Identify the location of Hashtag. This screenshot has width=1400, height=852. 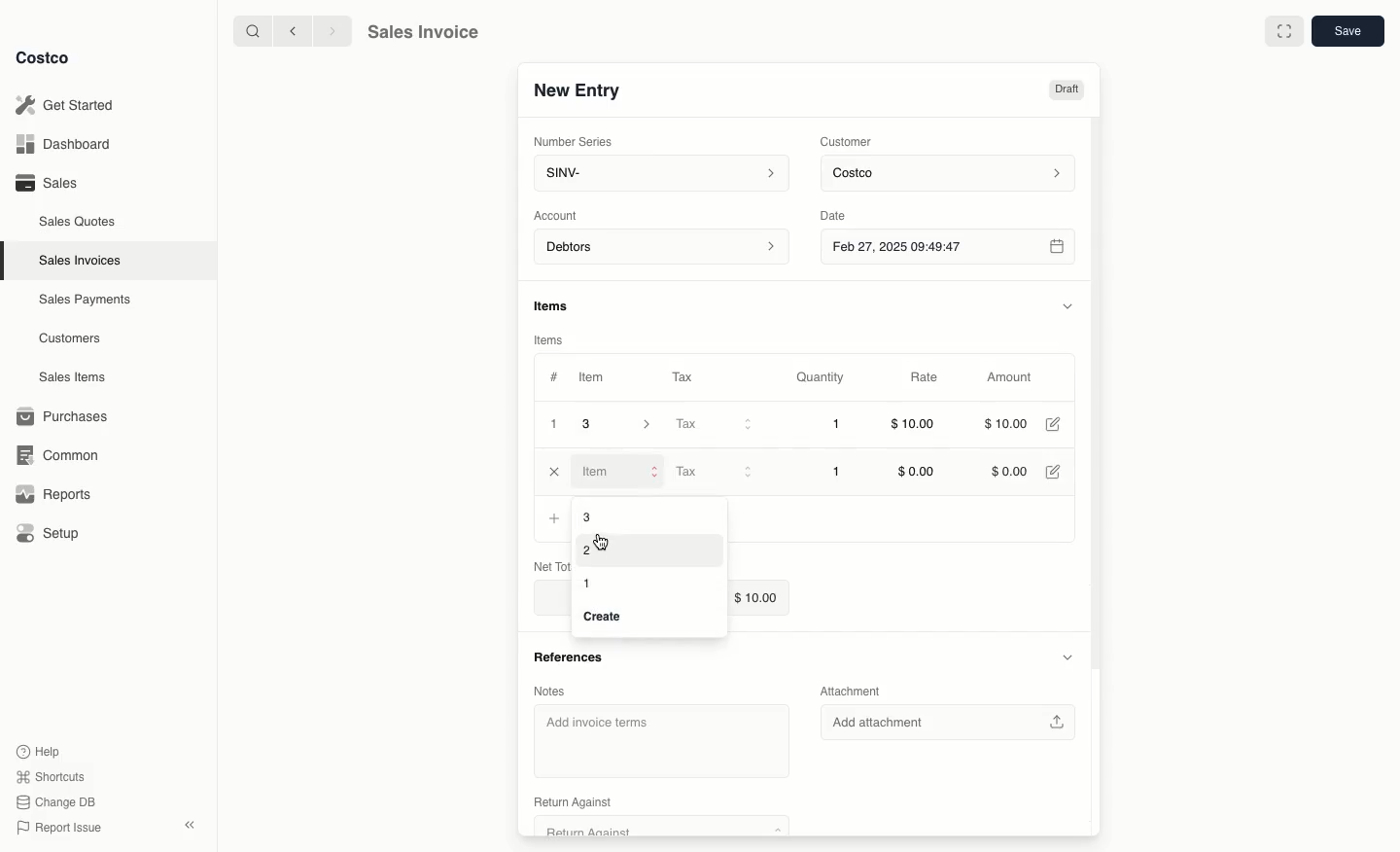
(553, 377).